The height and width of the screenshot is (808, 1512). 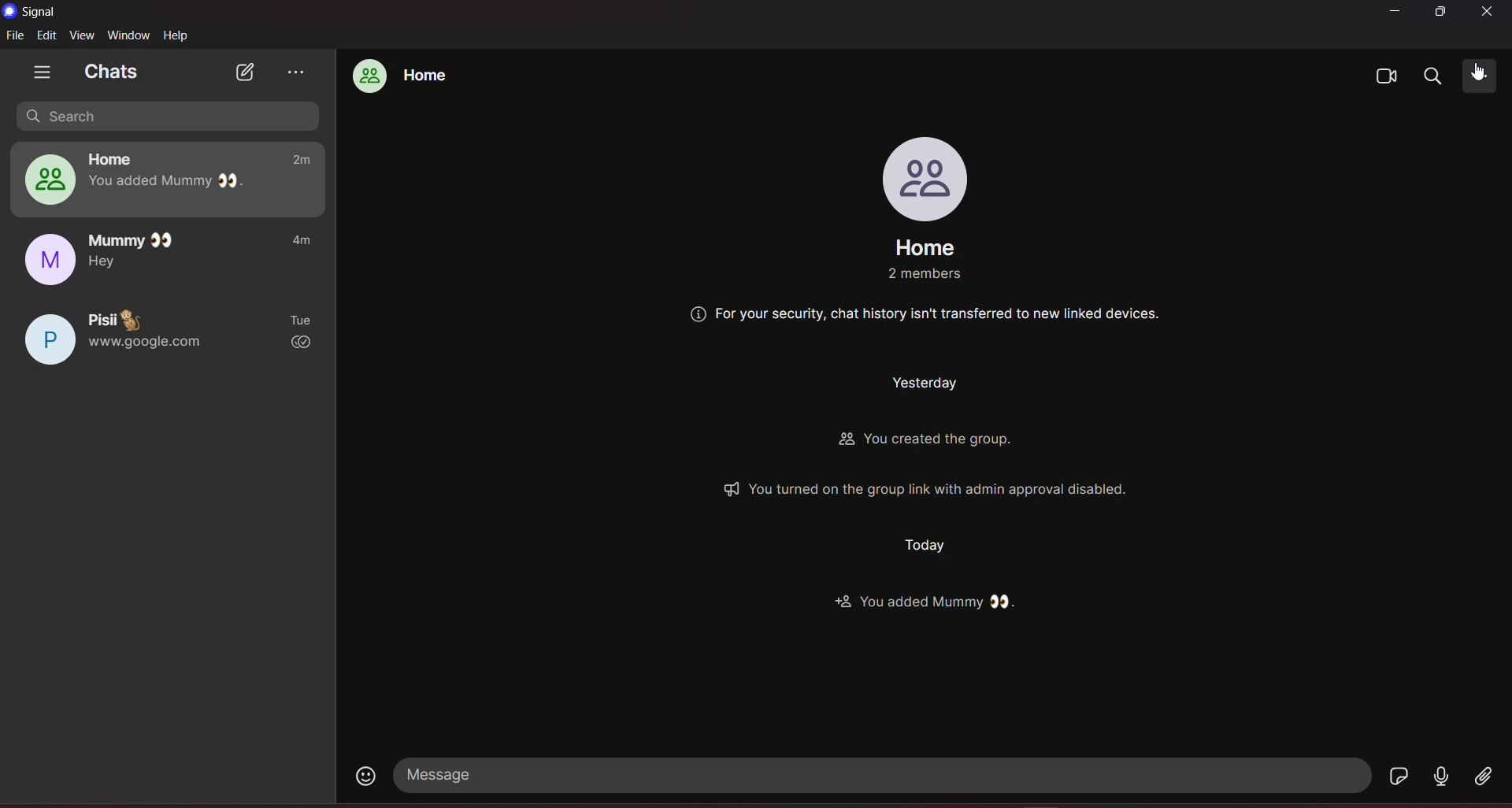 I want to click on emojis, so click(x=367, y=775).